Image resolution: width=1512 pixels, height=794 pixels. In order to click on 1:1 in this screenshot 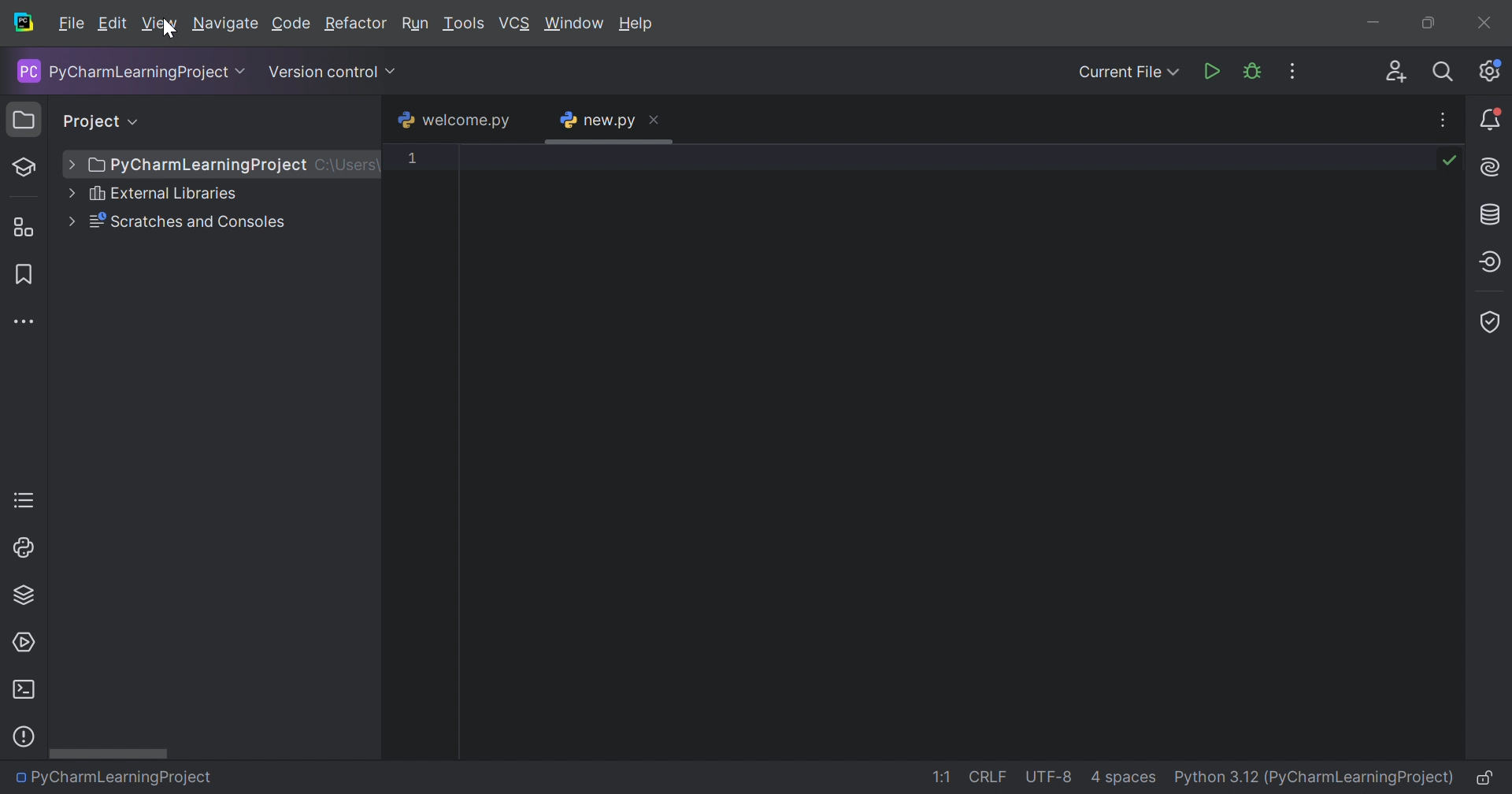, I will do `click(939, 777)`.